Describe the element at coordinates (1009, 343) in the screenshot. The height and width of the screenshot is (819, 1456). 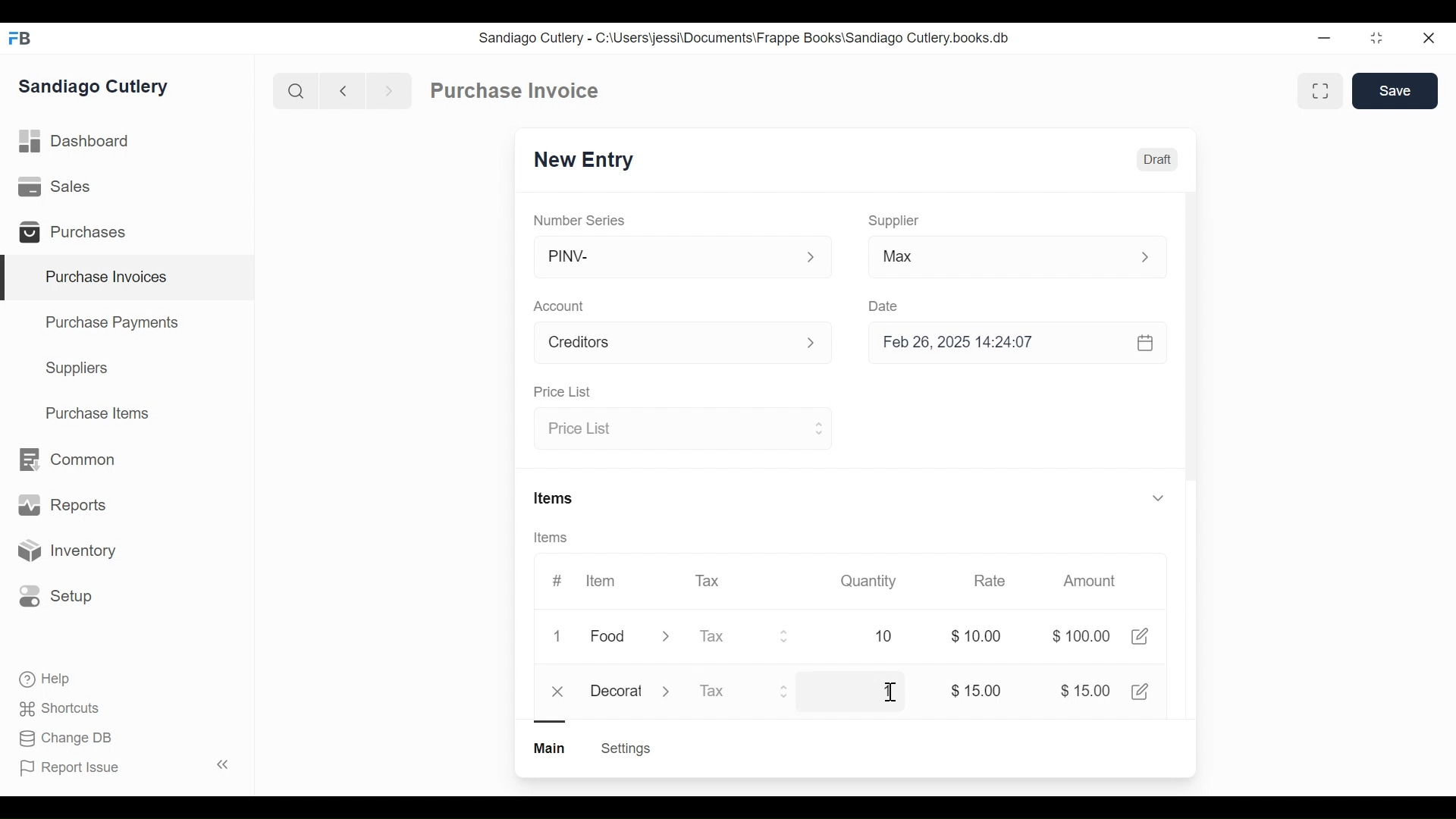
I see `Feb 26, 2025 14:24:07` at that location.